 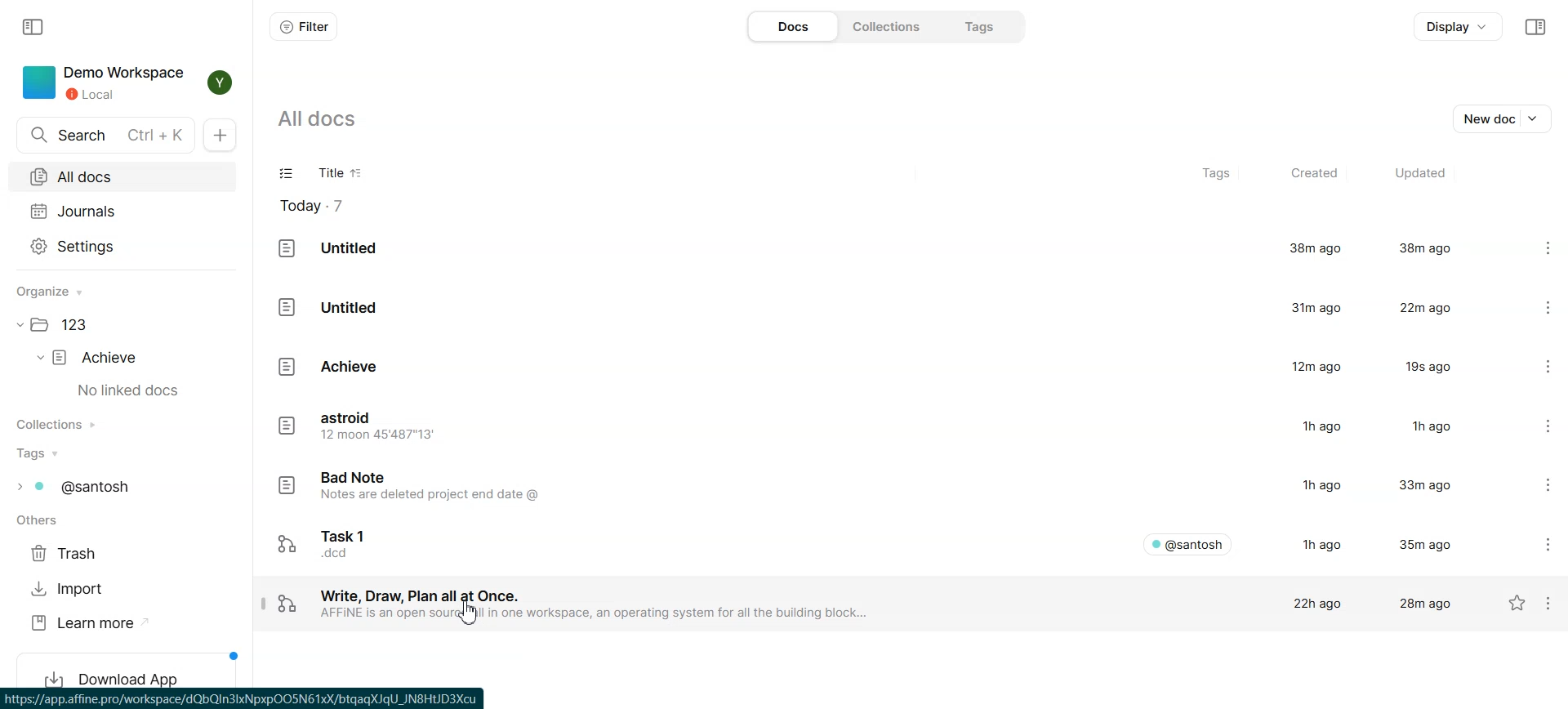 I want to click on Checklist, so click(x=287, y=175).